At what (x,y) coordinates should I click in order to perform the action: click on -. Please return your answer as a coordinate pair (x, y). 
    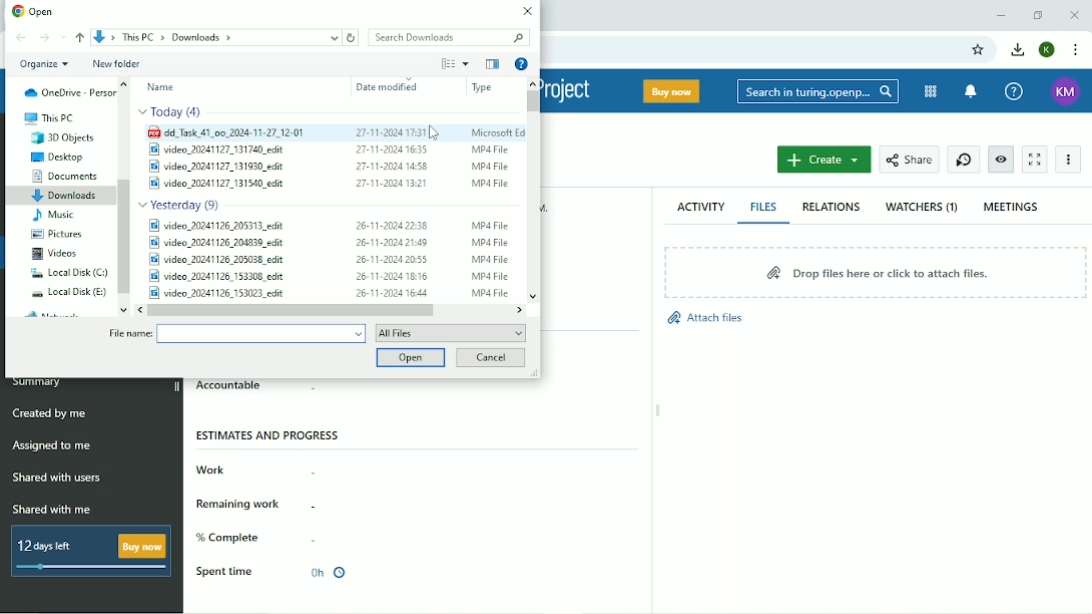
    Looking at the image, I should click on (324, 505).